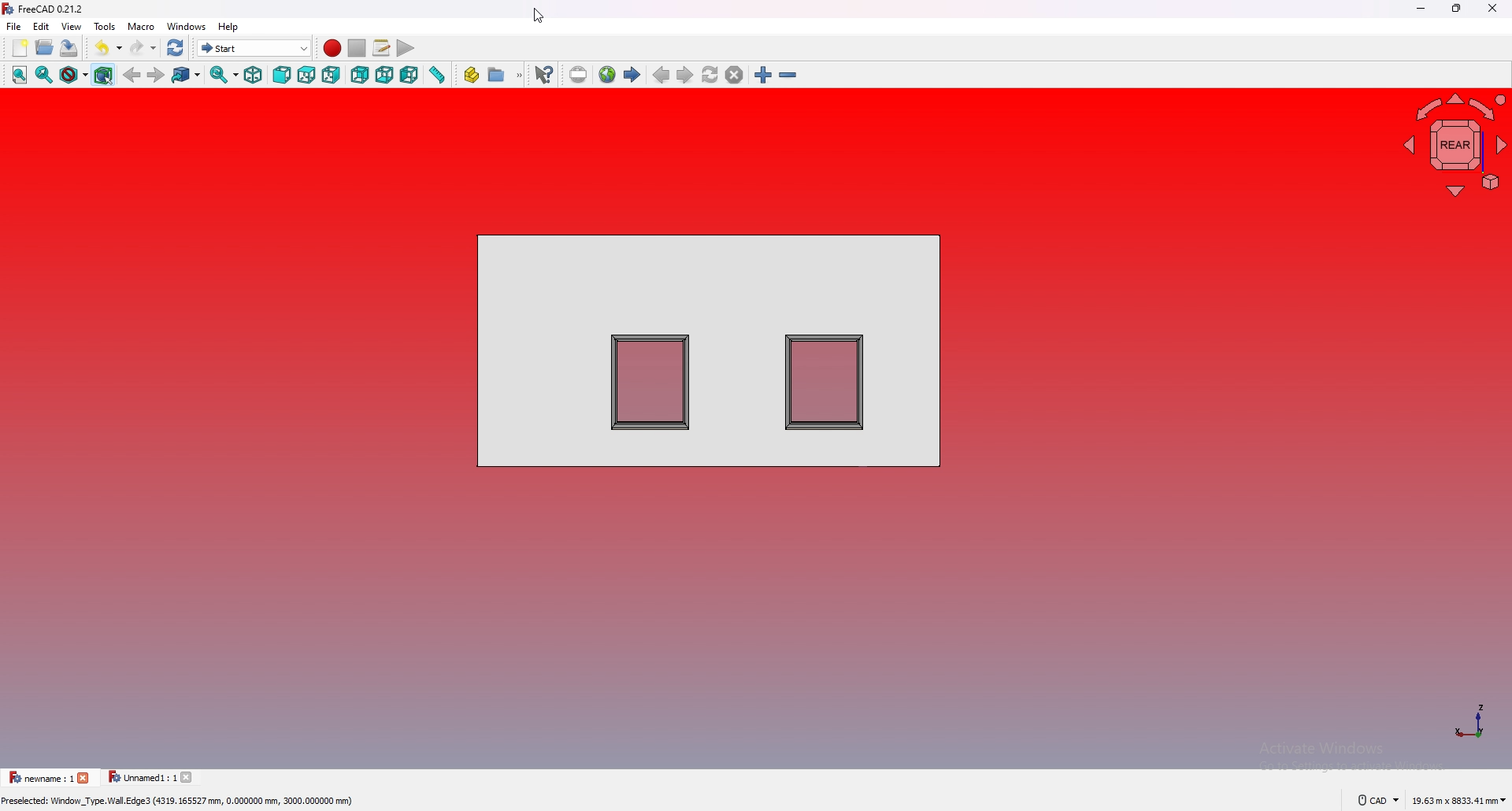 This screenshot has height=811, width=1512. What do you see at coordinates (709, 350) in the screenshot?
I see `shapes` at bounding box center [709, 350].